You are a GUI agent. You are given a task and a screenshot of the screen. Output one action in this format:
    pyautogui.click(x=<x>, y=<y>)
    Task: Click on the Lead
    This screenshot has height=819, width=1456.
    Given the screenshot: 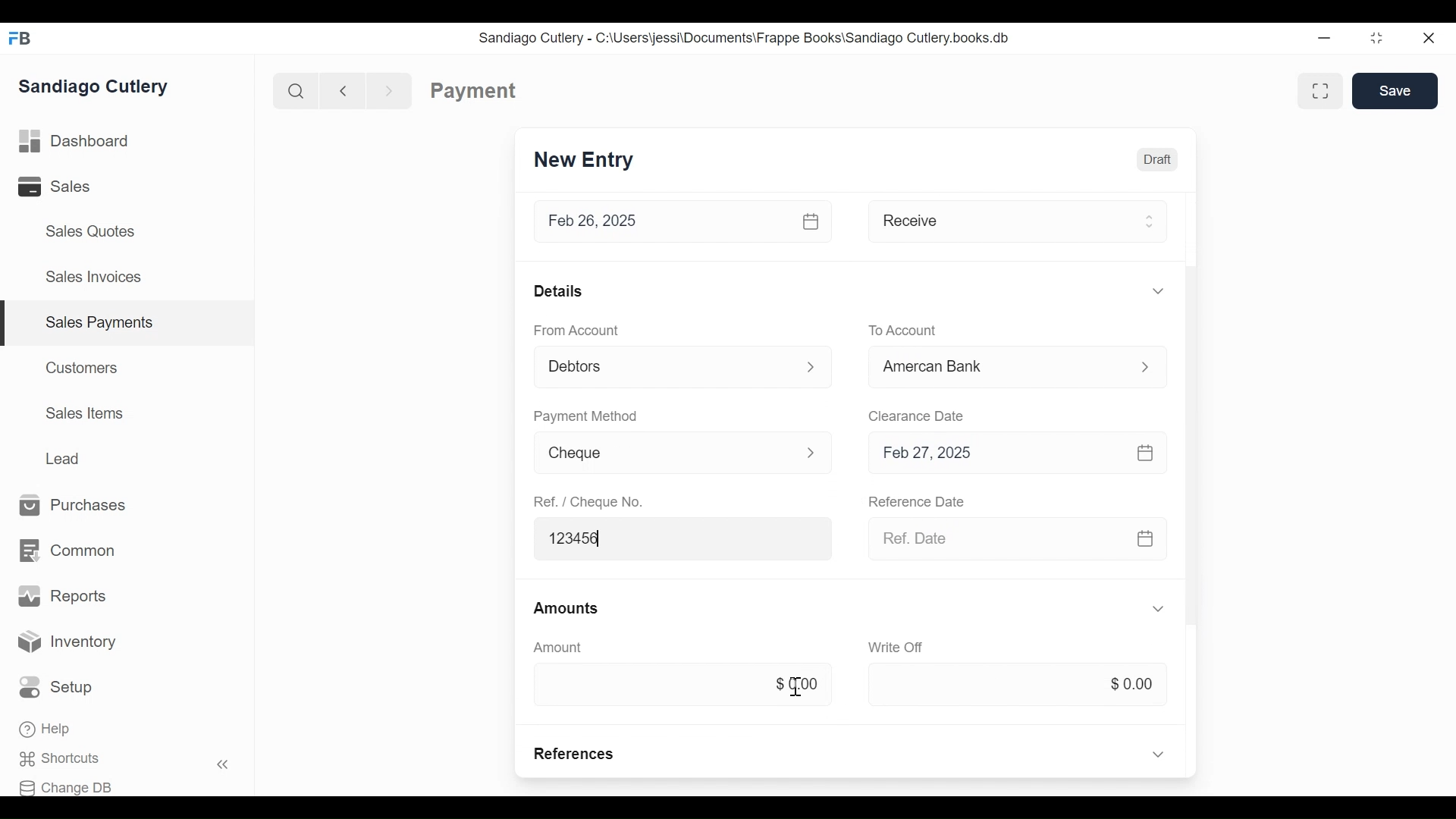 What is the action you would take?
    pyautogui.click(x=65, y=457)
    